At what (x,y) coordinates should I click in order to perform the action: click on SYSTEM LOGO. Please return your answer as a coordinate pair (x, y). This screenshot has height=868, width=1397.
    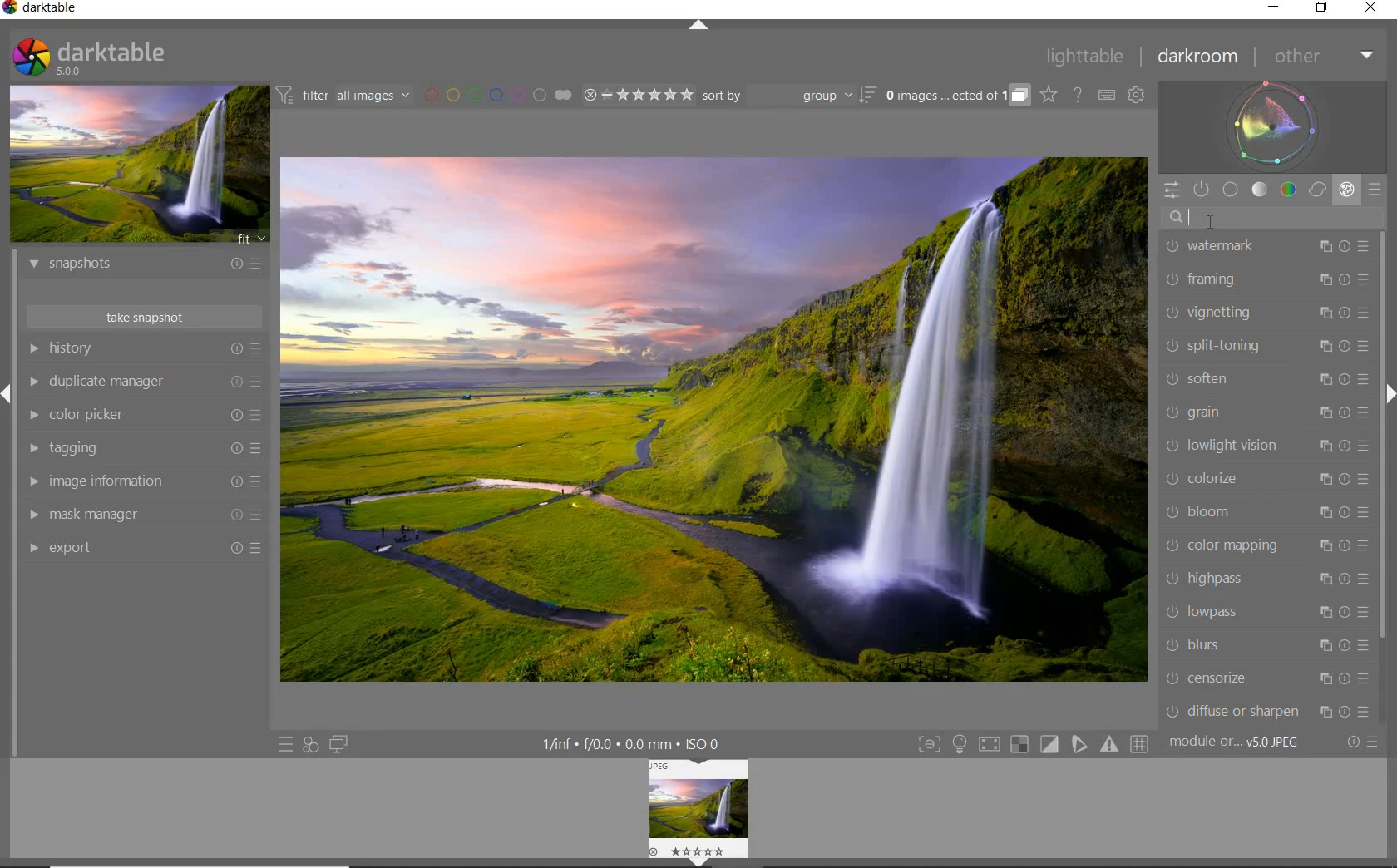
    Looking at the image, I should click on (90, 57).